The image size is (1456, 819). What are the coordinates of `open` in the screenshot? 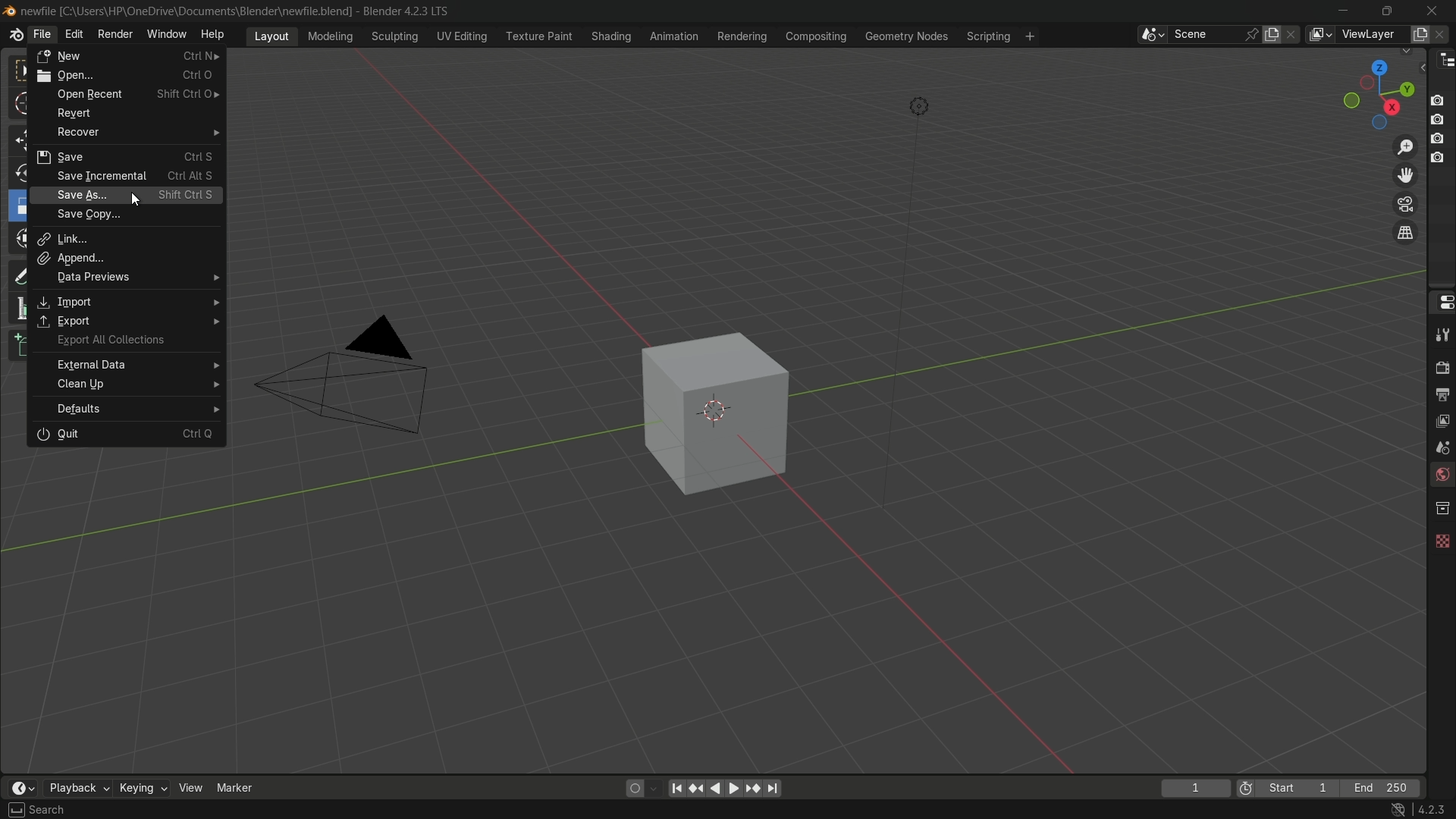 It's located at (124, 74).